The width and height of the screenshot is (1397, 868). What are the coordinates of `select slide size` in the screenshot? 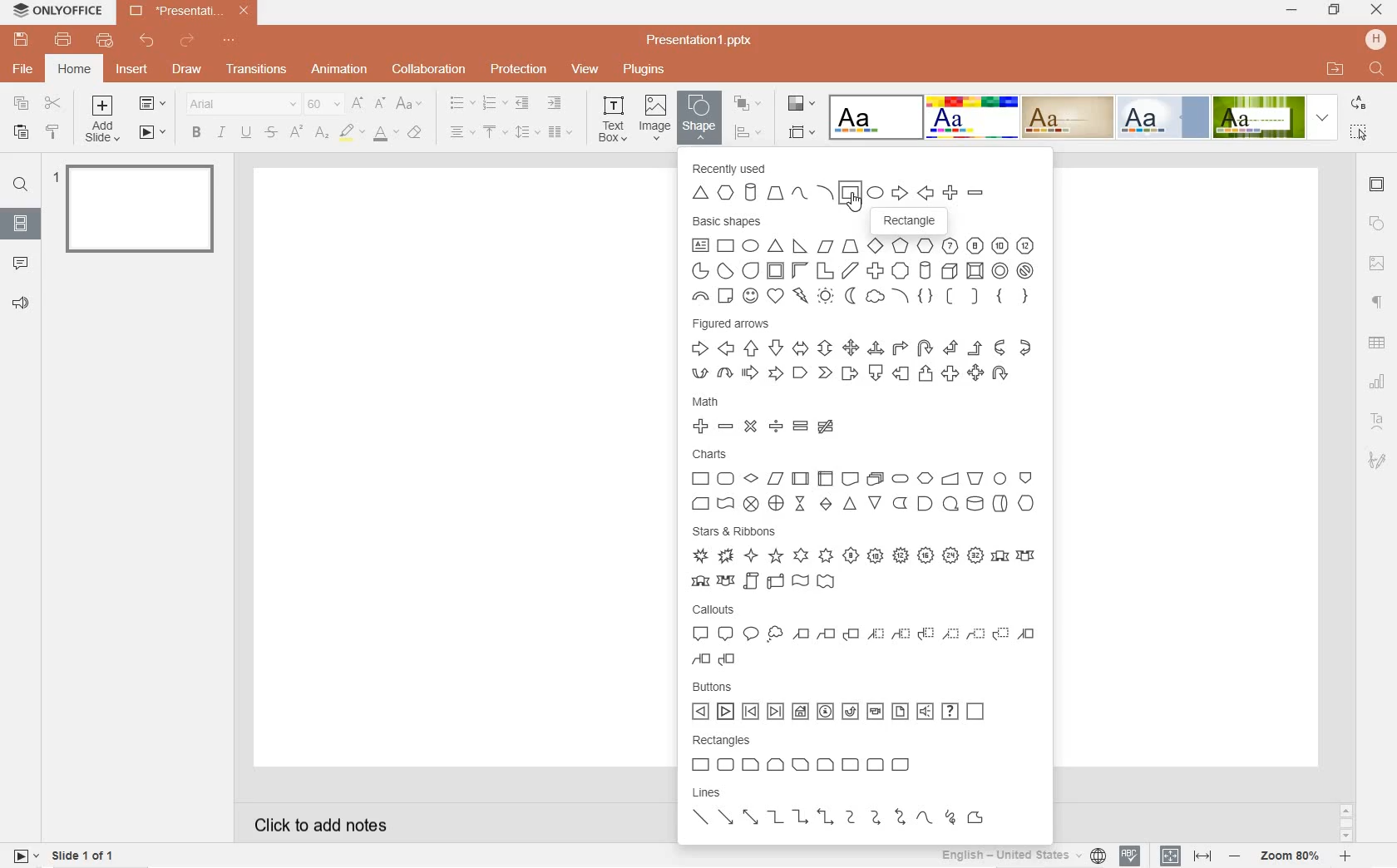 It's located at (800, 133).